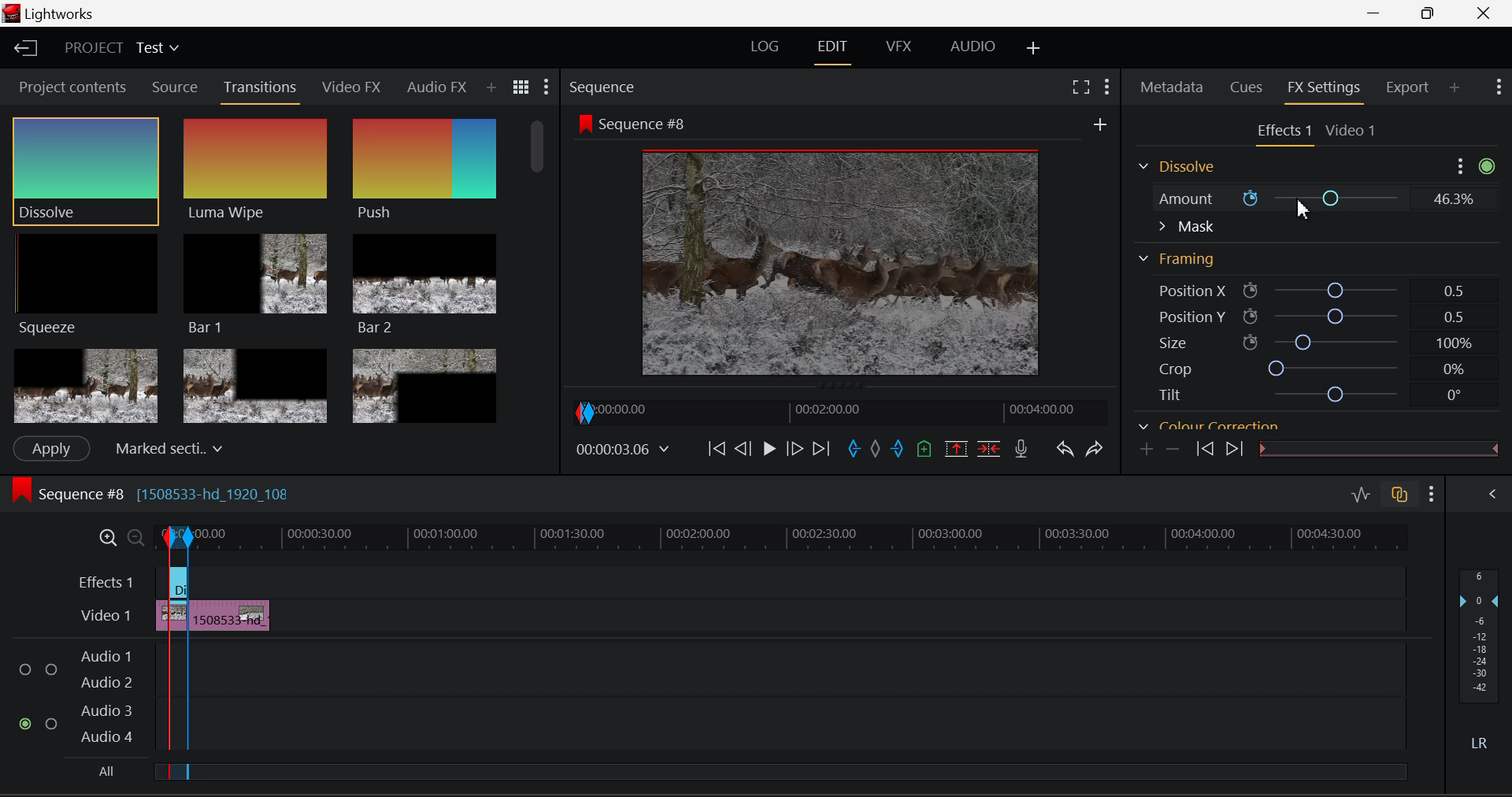 This screenshot has height=797, width=1512. What do you see at coordinates (27, 50) in the screenshot?
I see `Go to Homepage` at bounding box center [27, 50].